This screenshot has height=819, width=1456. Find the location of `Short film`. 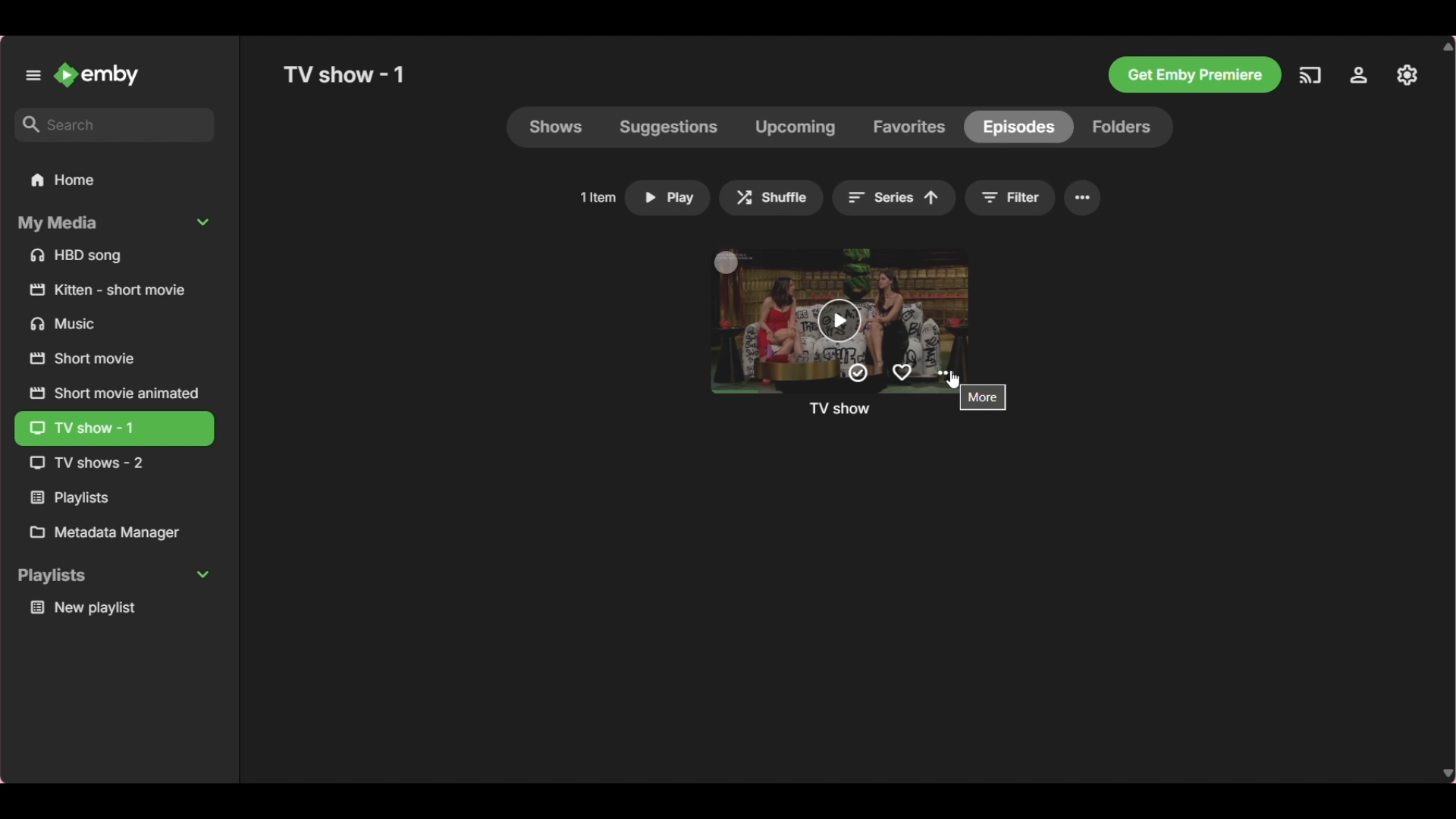

Short film is located at coordinates (113, 392).